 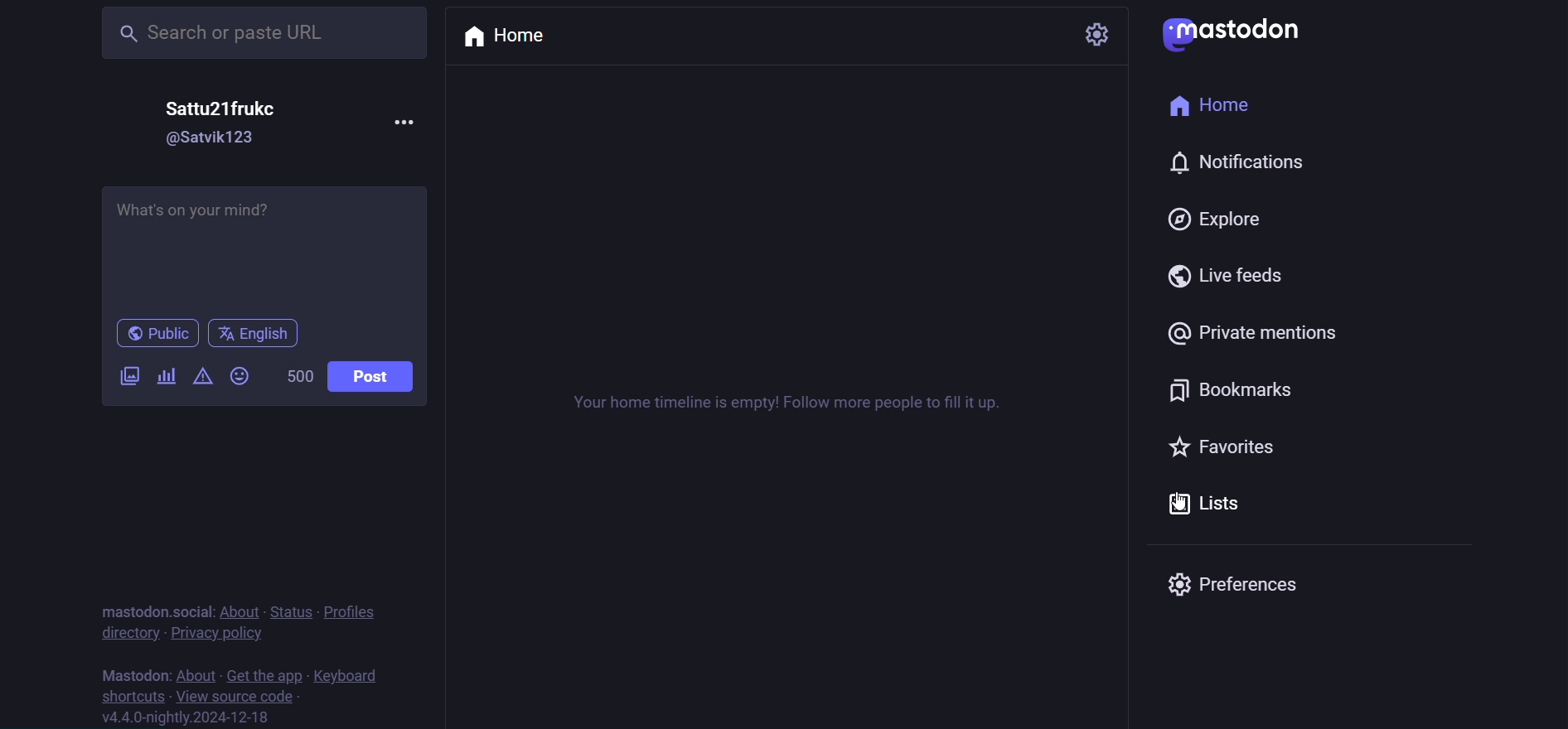 I want to click on about, so click(x=236, y=608).